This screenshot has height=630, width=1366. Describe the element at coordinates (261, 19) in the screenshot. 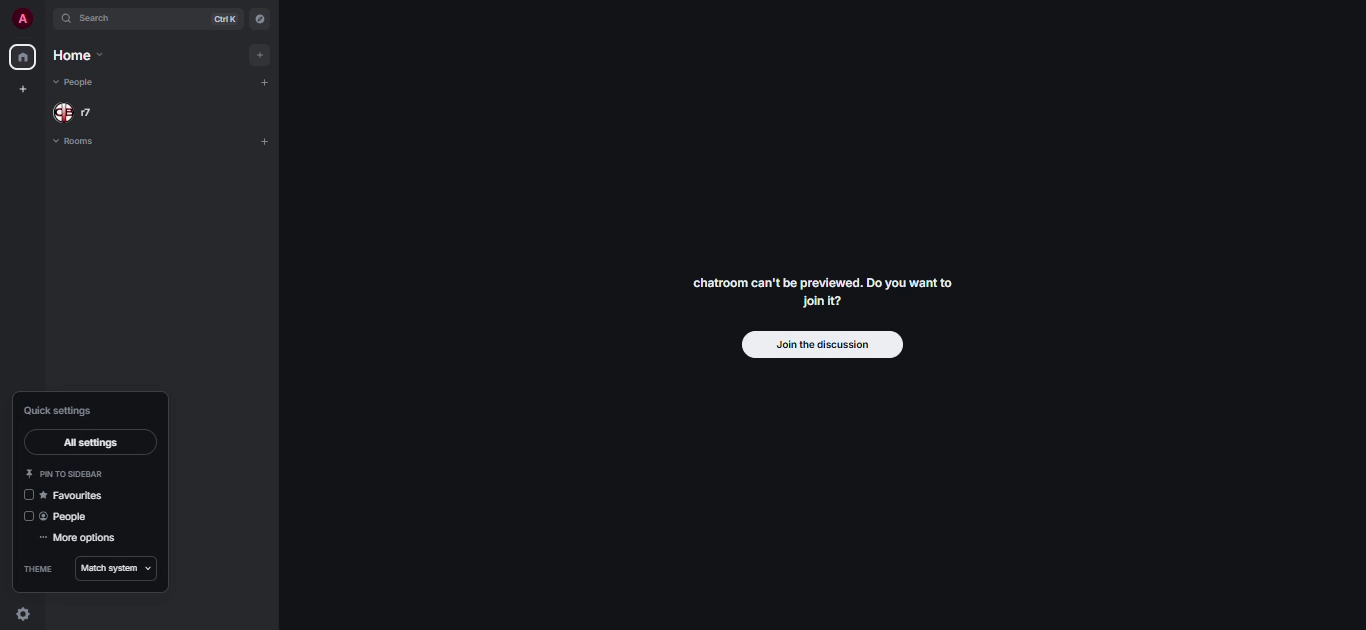

I see `navigator` at that location.